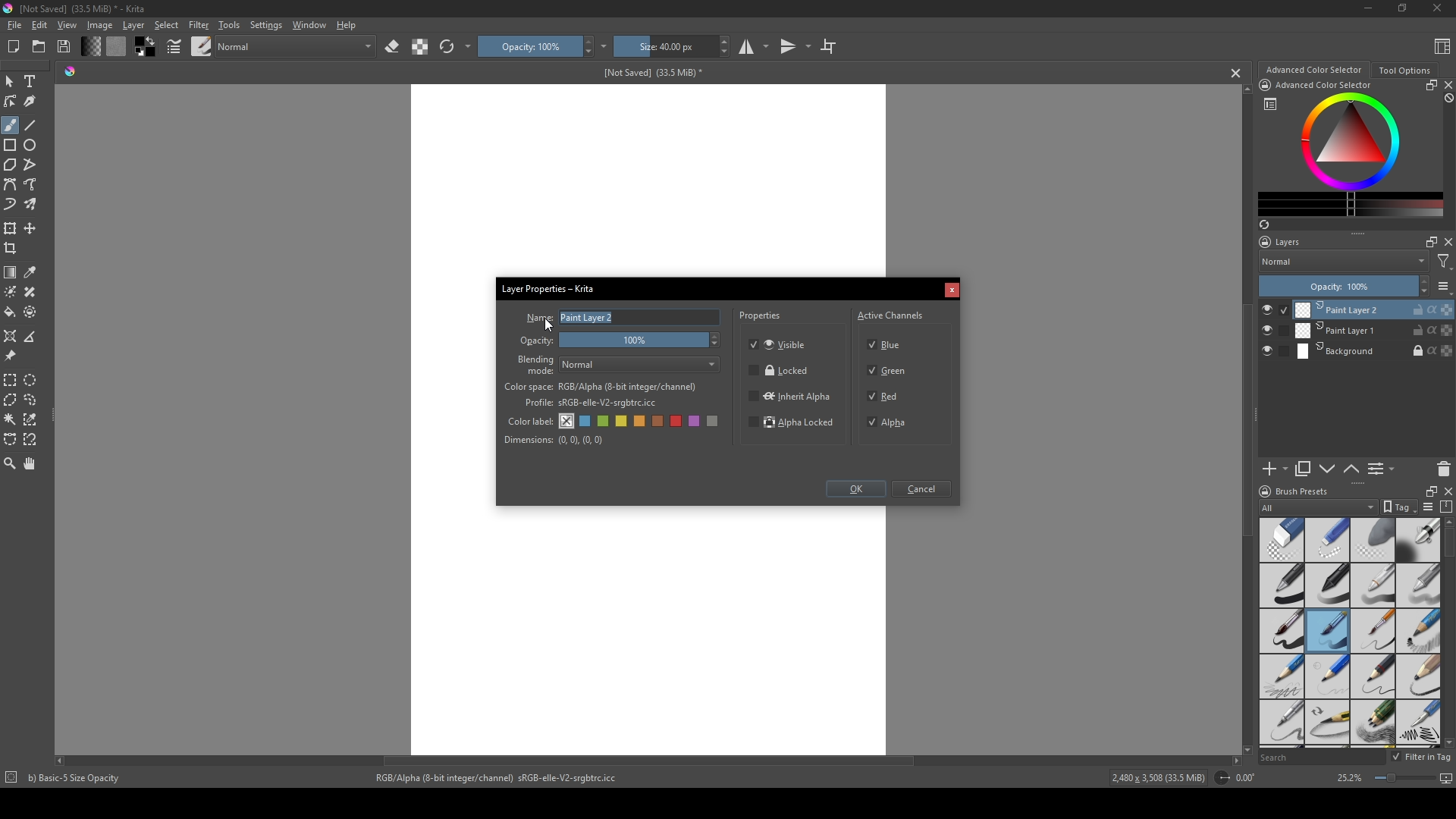 This screenshot has width=1456, height=819. I want to click on icon, so click(1221, 778).